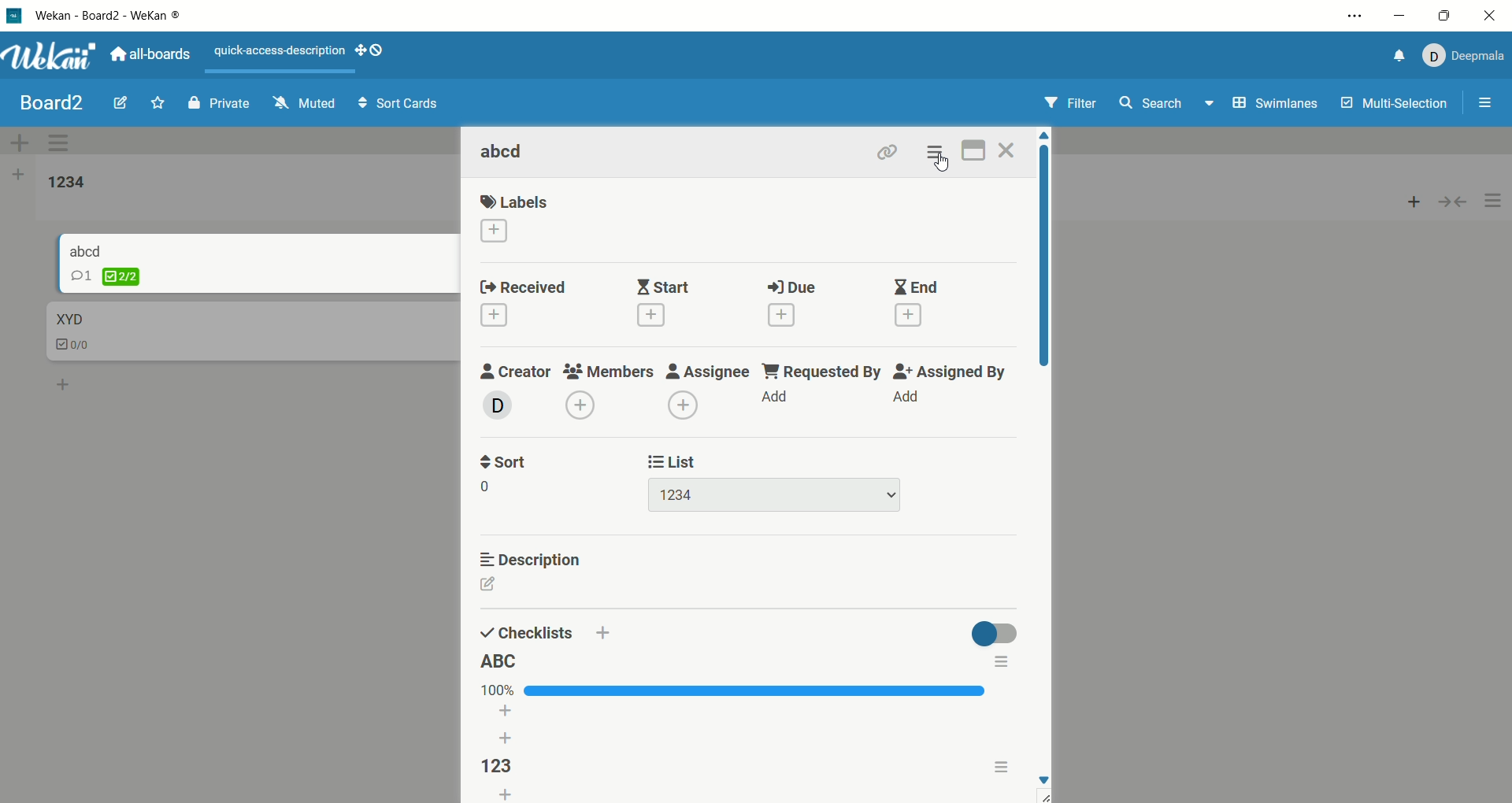 The width and height of the screenshot is (1512, 803). What do you see at coordinates (771, 481) in the screenshot?
I see `list` at bounding box center [771, 481].